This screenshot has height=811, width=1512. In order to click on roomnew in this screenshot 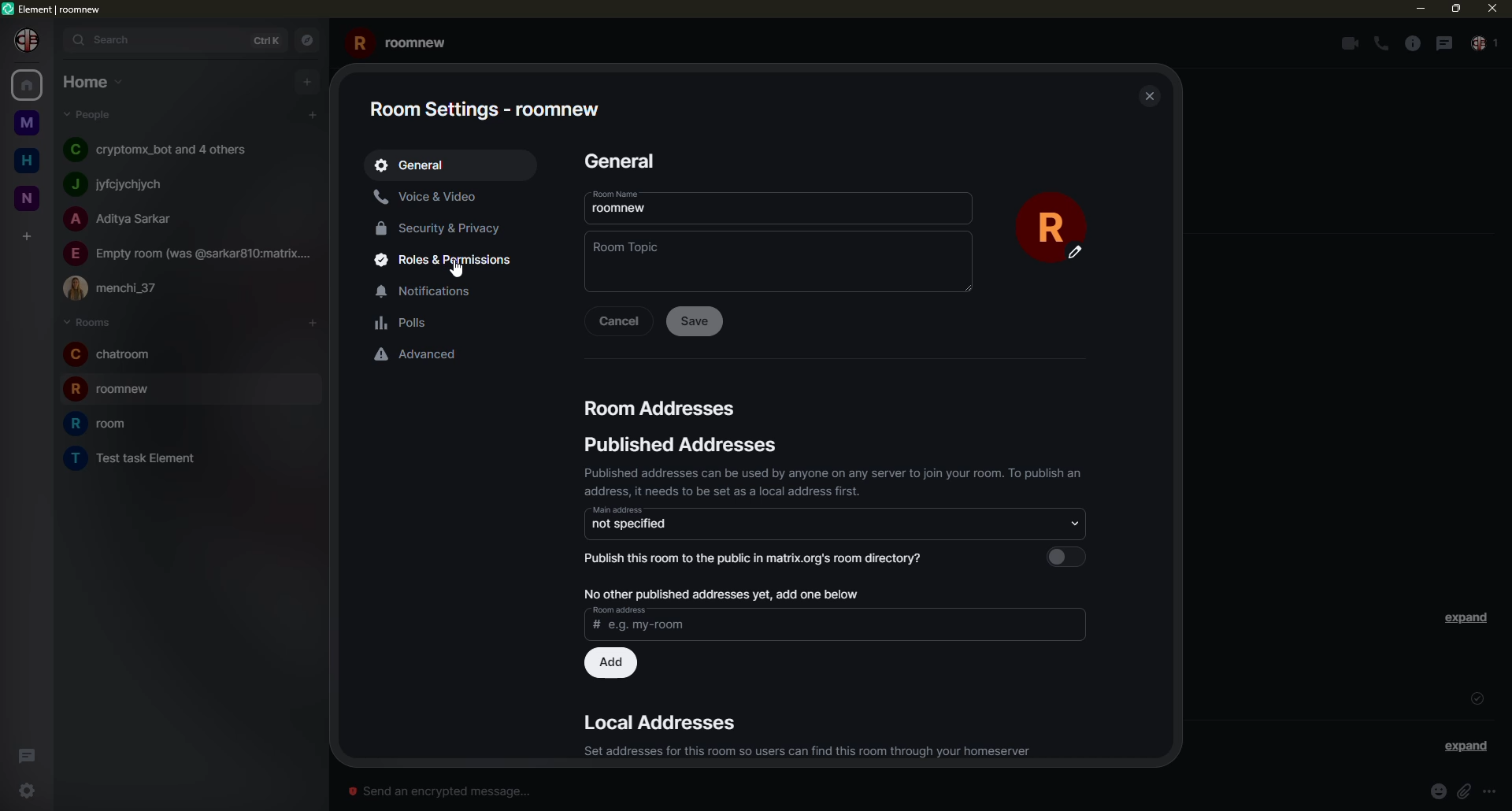, I will do `click(403, 41)`.